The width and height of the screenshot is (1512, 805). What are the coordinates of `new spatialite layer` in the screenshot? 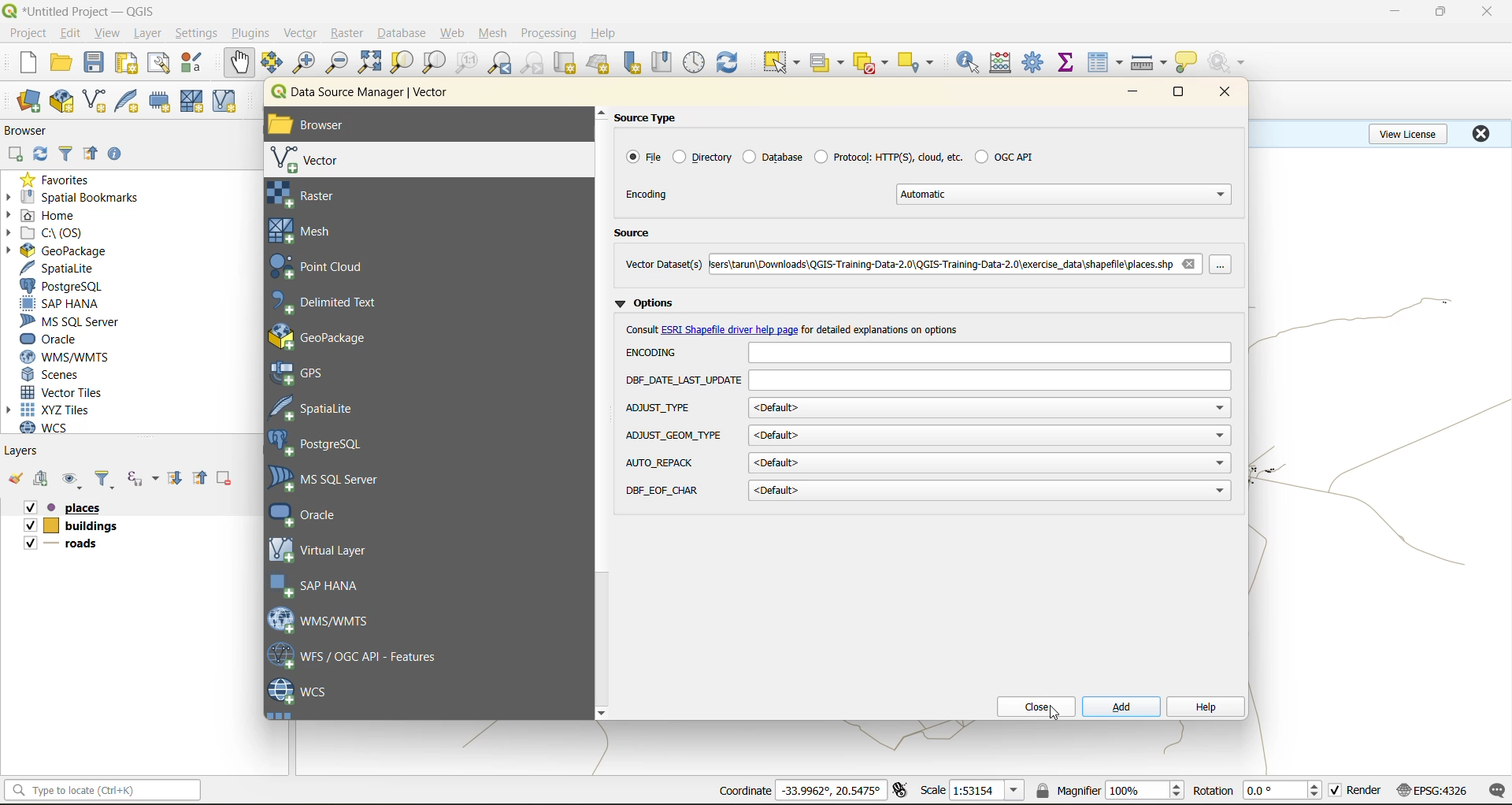 It's located at (131, 99).